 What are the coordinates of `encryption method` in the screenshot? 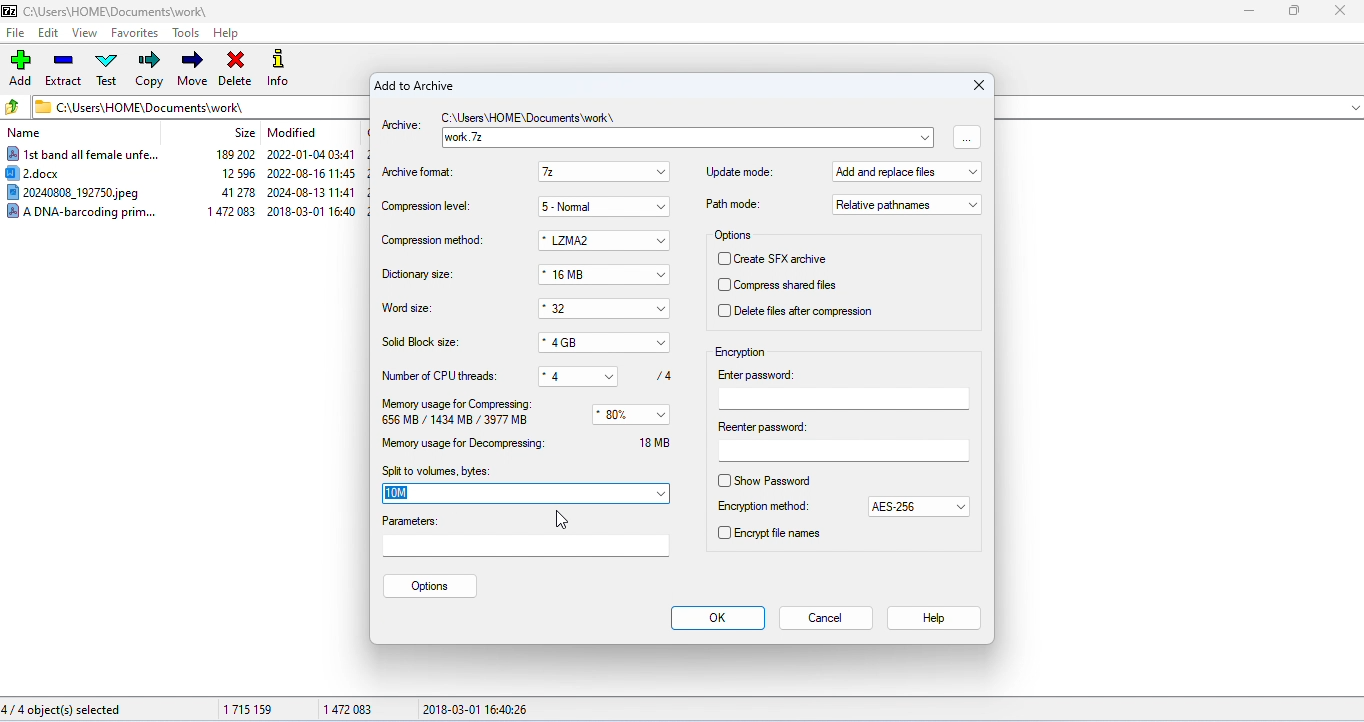 It's located at (763, 507).